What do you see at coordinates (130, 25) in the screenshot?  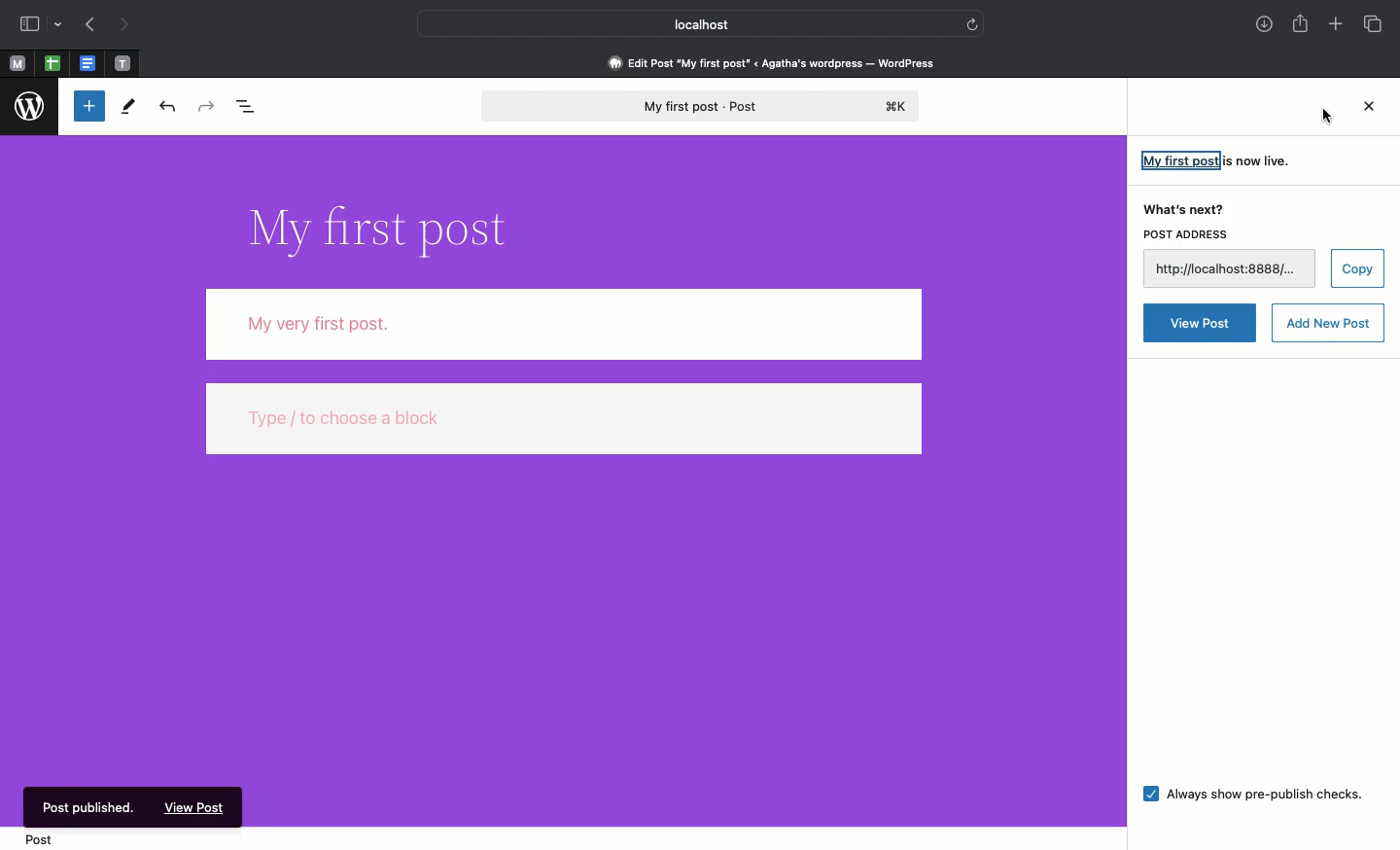 I see `Next page` at bounding box center [130, 25].